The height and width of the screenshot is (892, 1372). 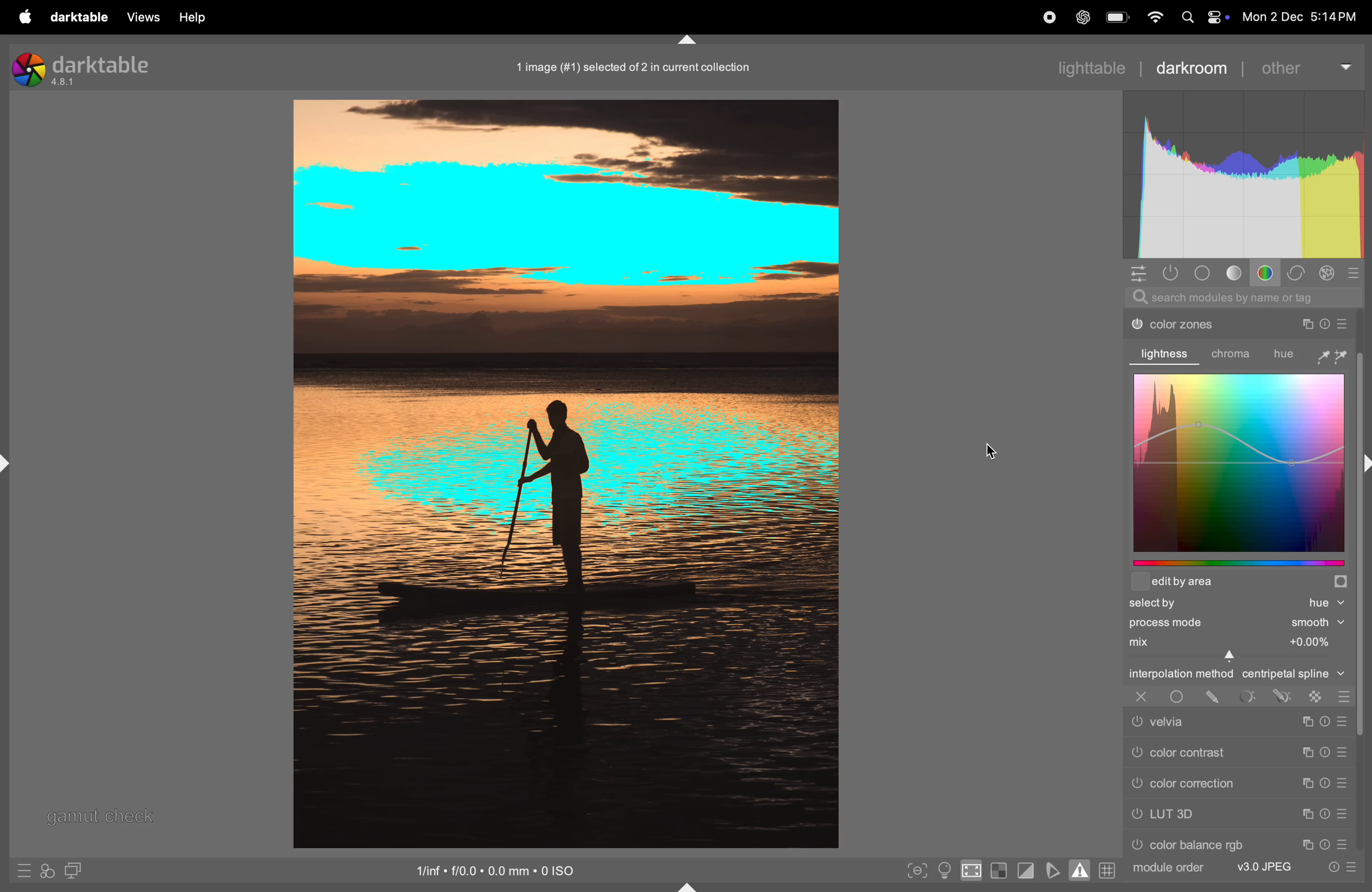 I want to click on quick acess to preset, so click(x=1338, y=868).